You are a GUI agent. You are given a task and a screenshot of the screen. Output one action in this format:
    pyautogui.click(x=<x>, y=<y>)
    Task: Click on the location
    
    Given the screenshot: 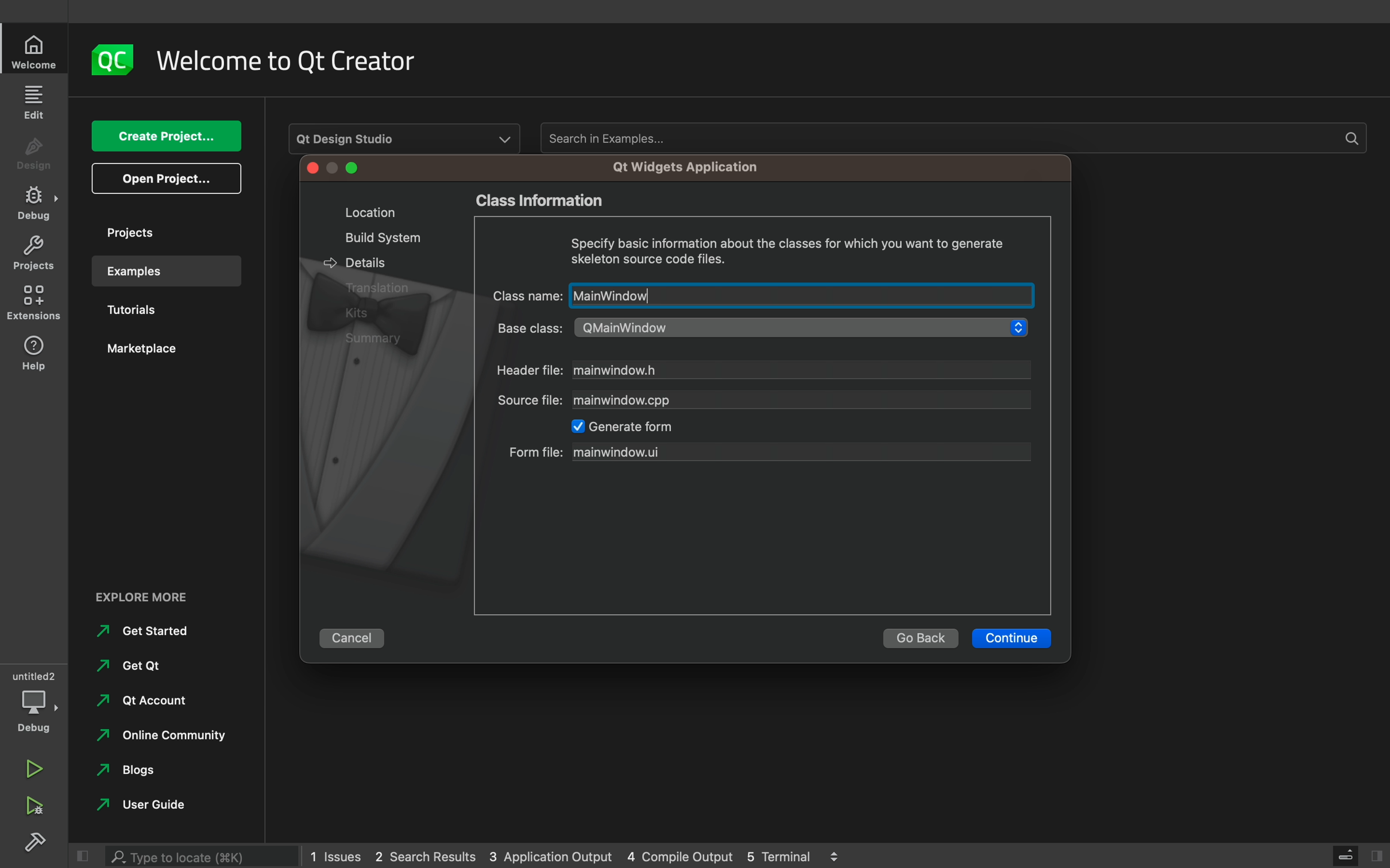 What is the action you would take?
    pyautogui.click(x=364, y=212)
    